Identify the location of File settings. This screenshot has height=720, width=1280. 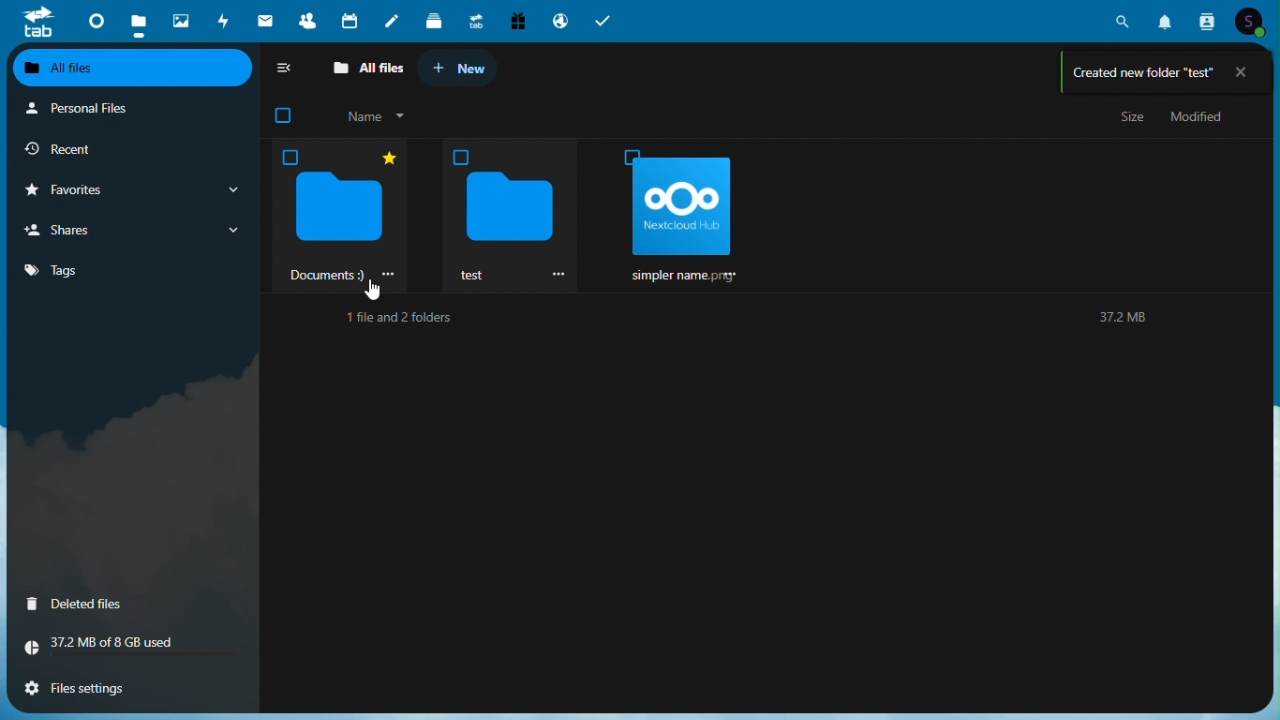
(128, 693).